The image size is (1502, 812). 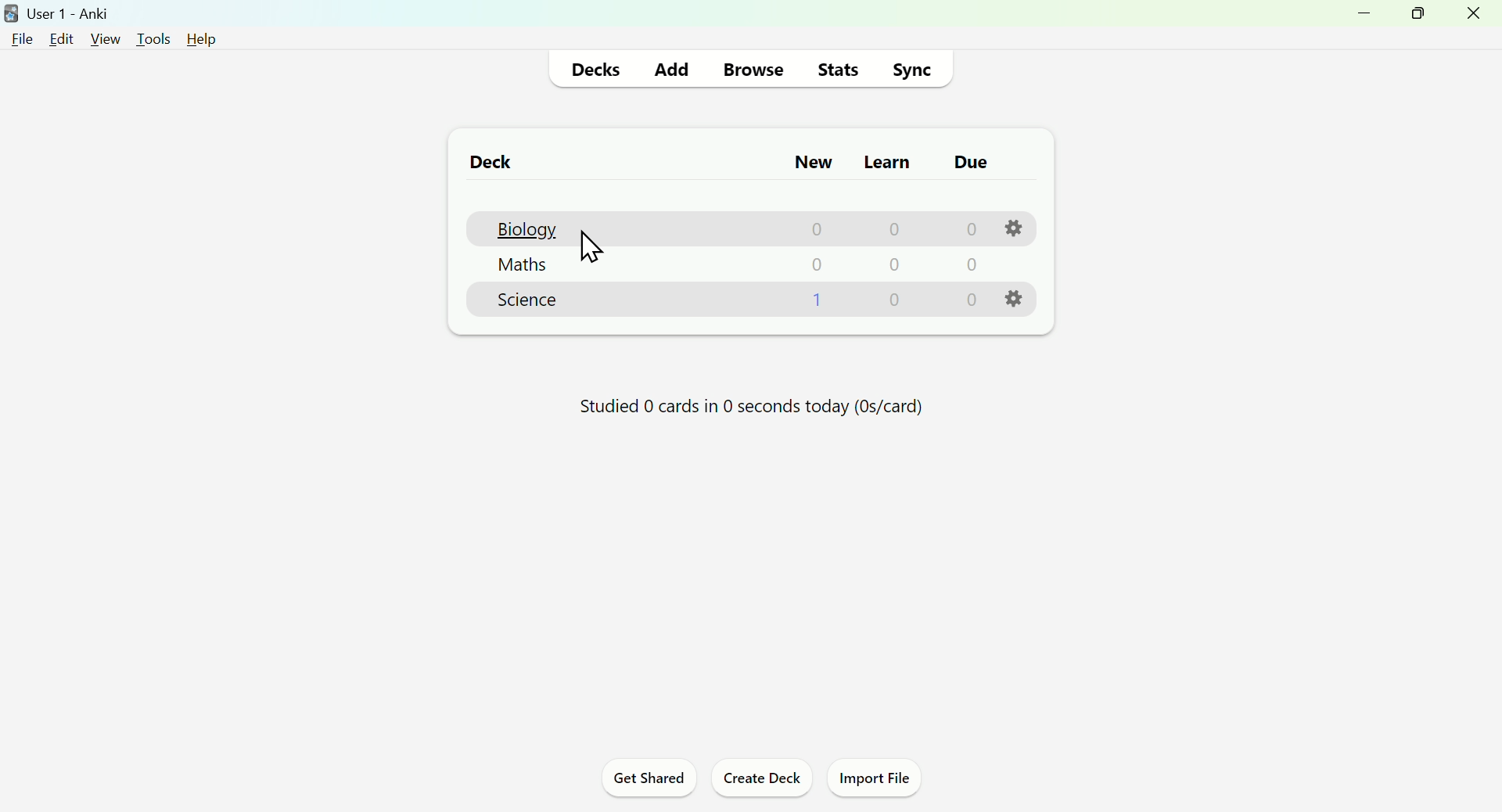 What do you see at coordinates (524, 228) in the screenshot?
I see `Biology` at bounding box center [524, 228].